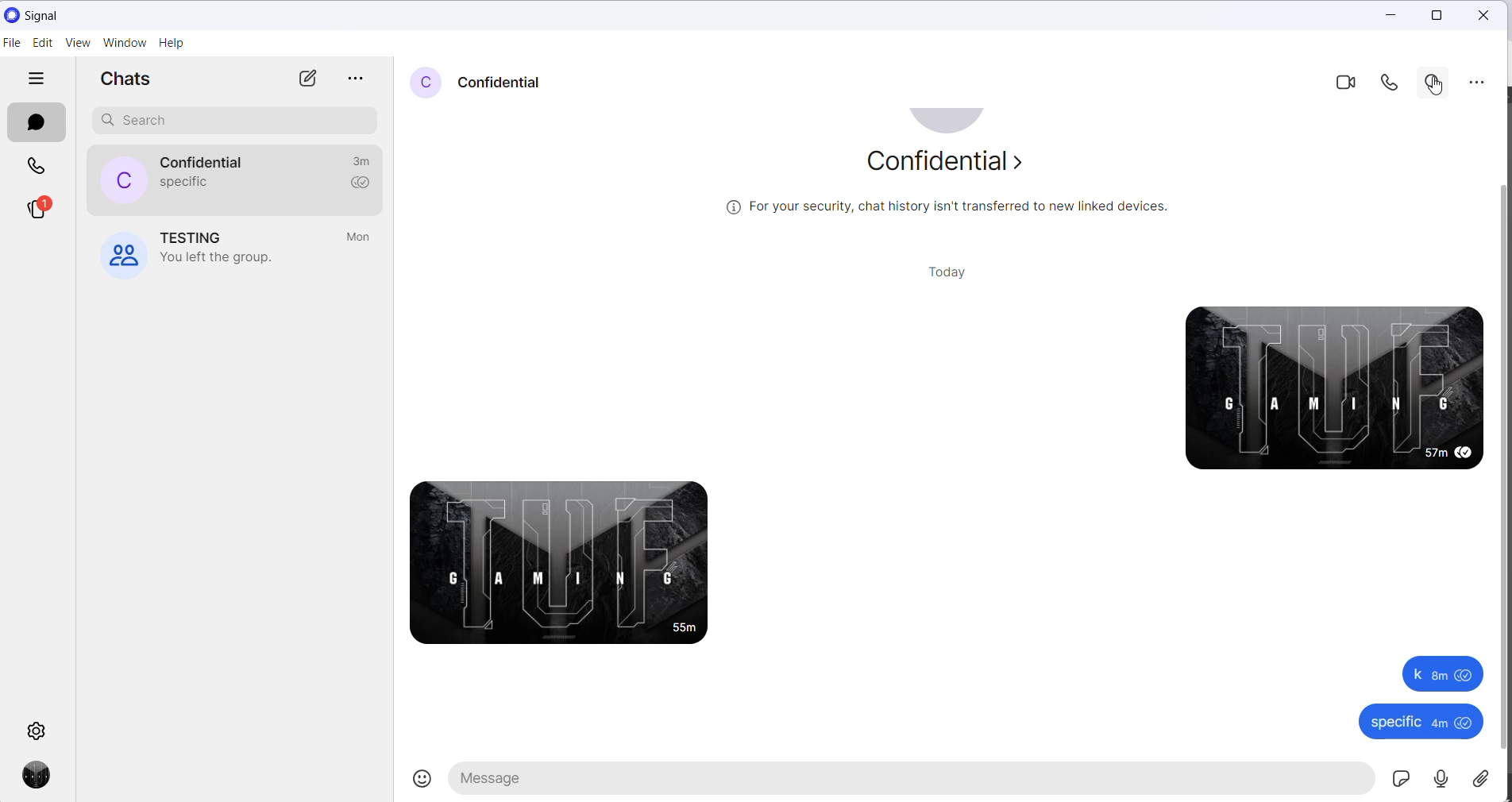 This screenshot has width=1512, height=802. I want to click on profile picture, so click(951, 122).